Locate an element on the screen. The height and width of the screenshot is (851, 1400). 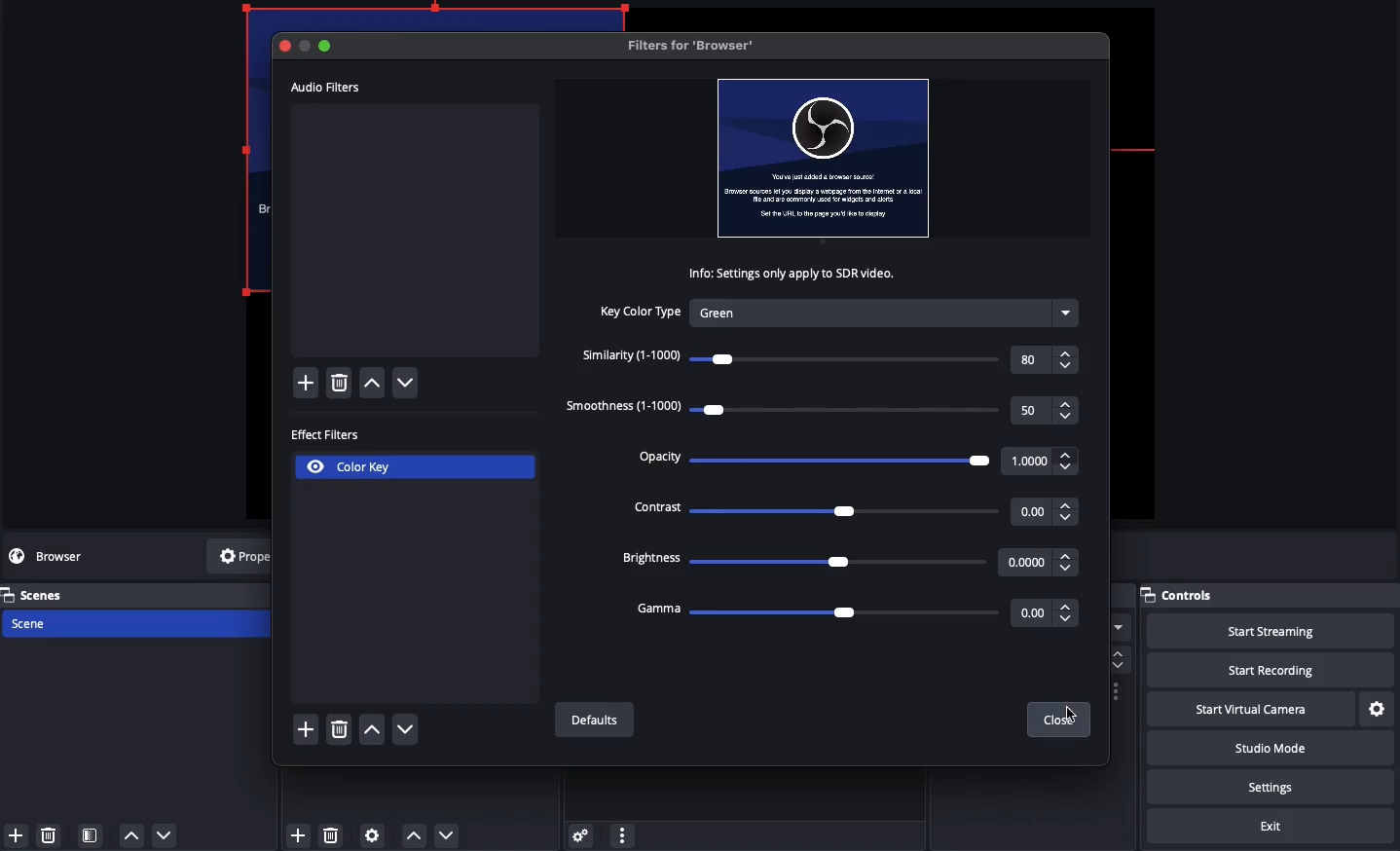
Start streaming is located at coordinates (1262, 631).